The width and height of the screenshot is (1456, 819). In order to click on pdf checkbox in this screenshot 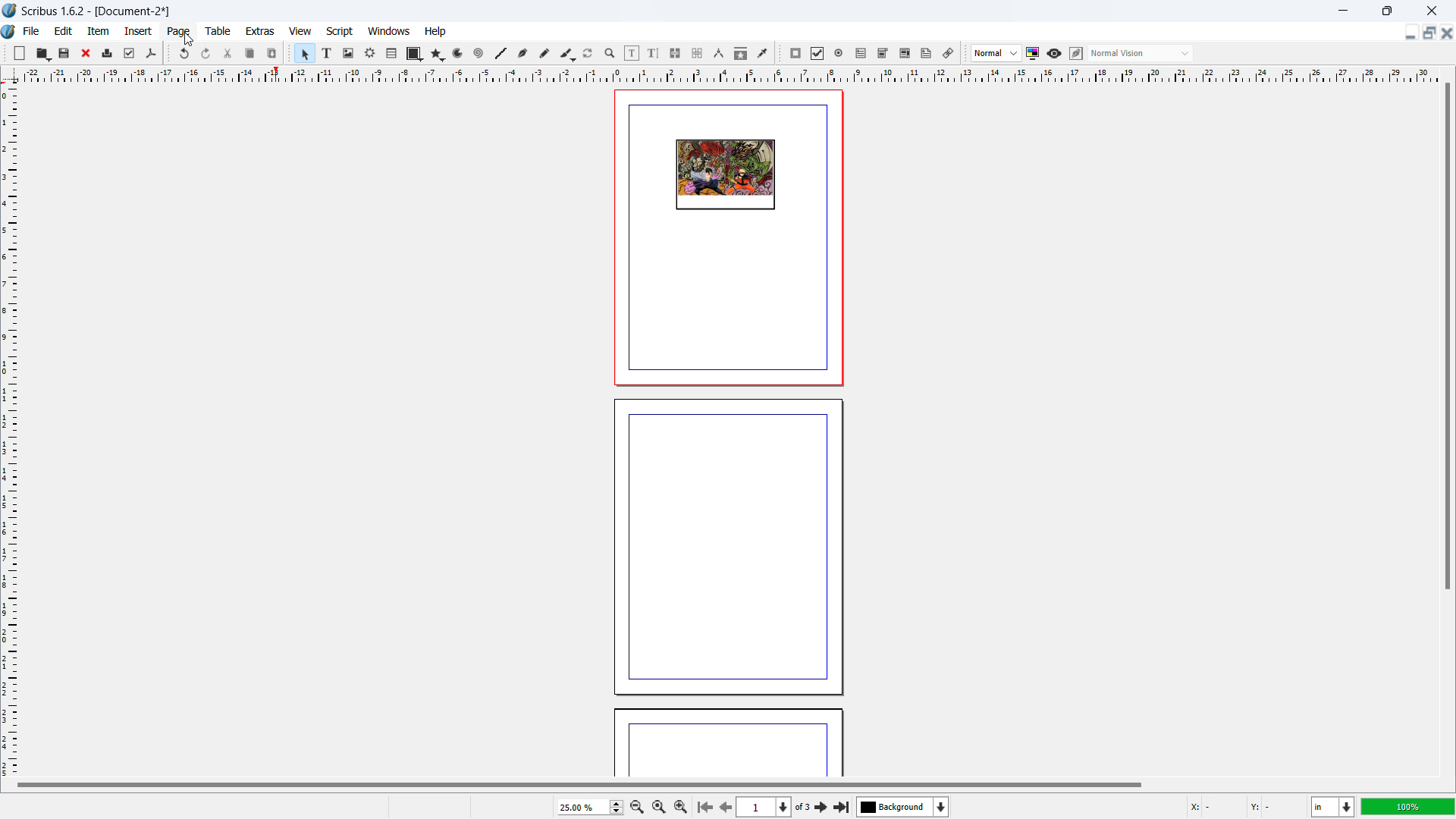, I will do `click(817, 53)`.